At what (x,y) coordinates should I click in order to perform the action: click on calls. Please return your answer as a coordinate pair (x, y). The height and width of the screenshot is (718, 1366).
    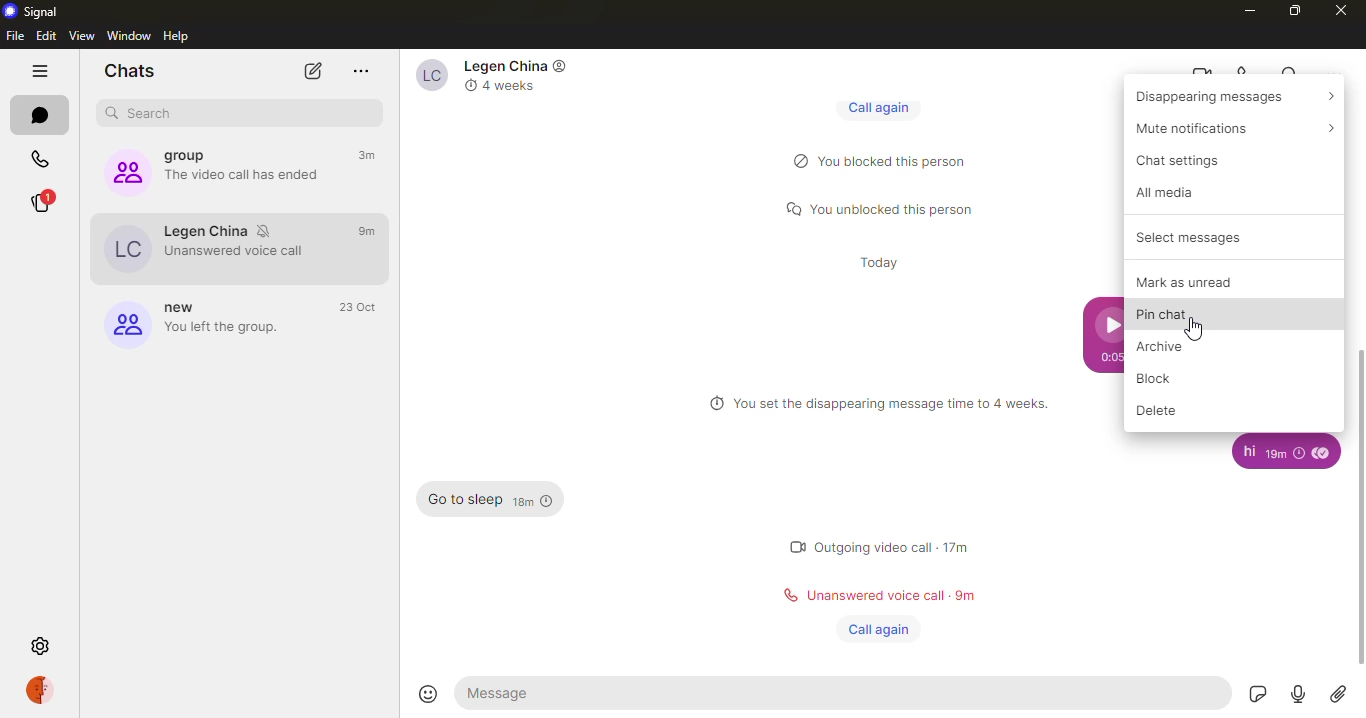
    Looking at the image, I should click on (34, 160).